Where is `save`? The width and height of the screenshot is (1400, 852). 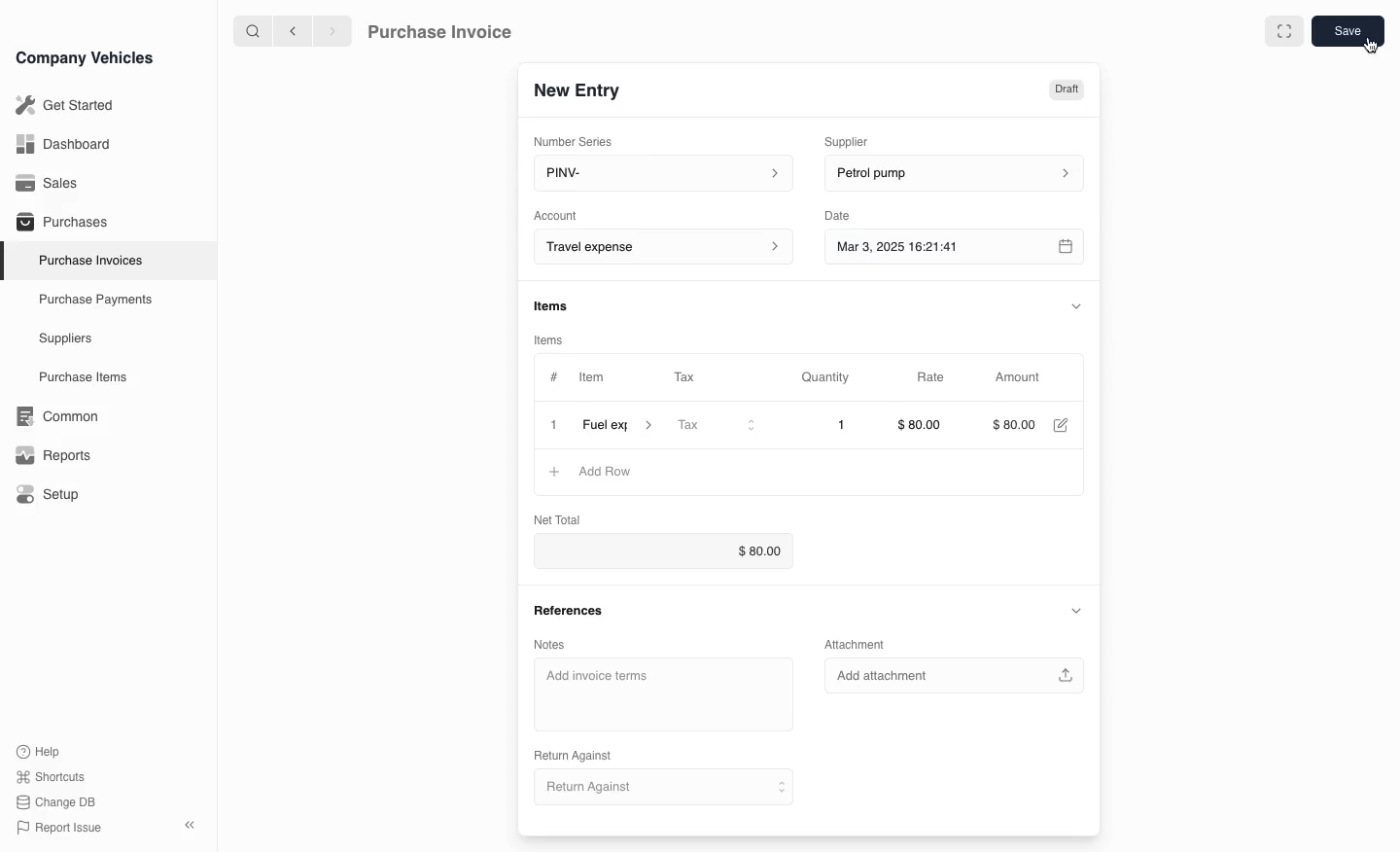
save is located at coordinates (1347, 30).